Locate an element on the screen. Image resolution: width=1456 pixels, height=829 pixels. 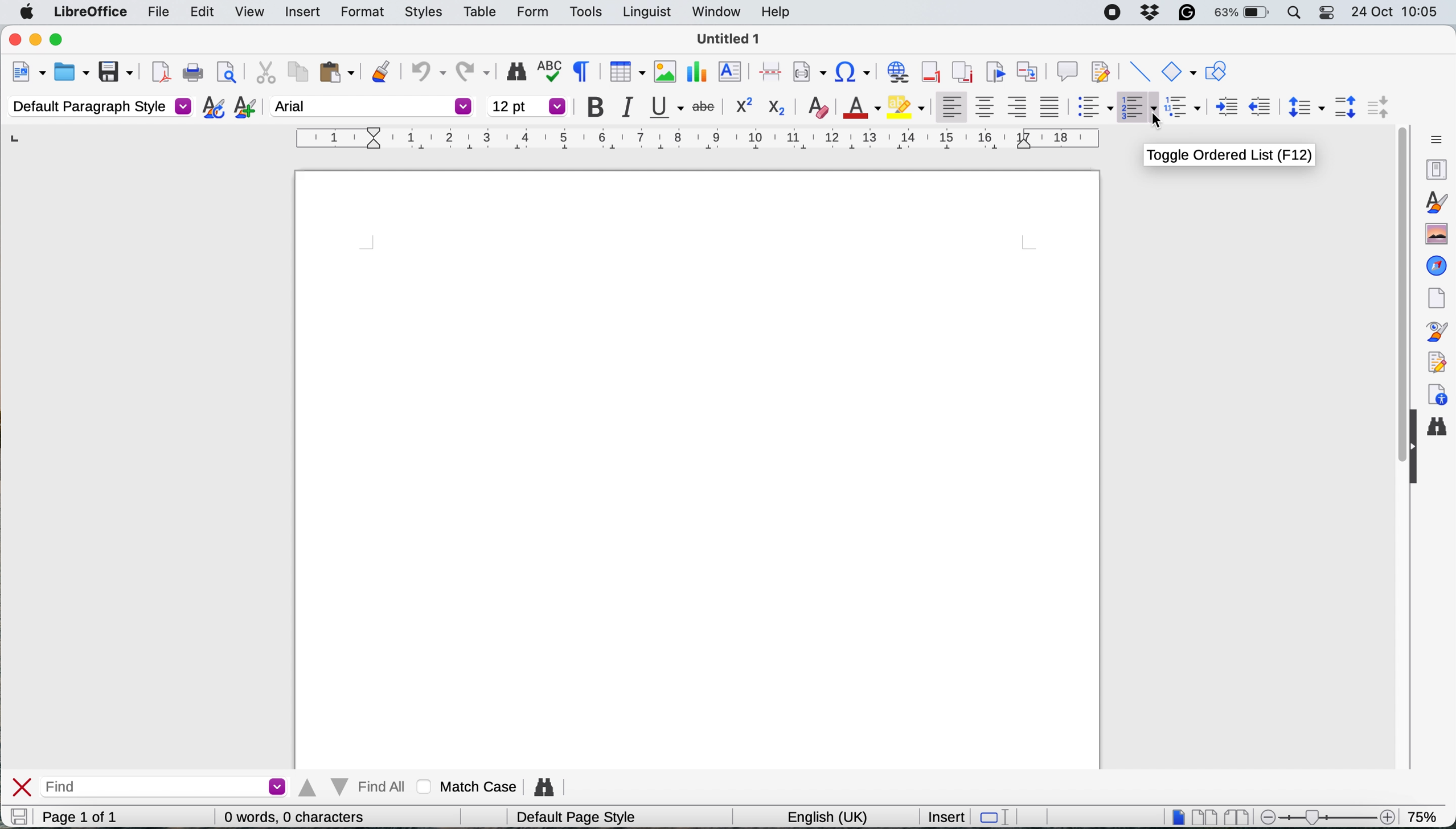
print is located at coordinates (194, 73).